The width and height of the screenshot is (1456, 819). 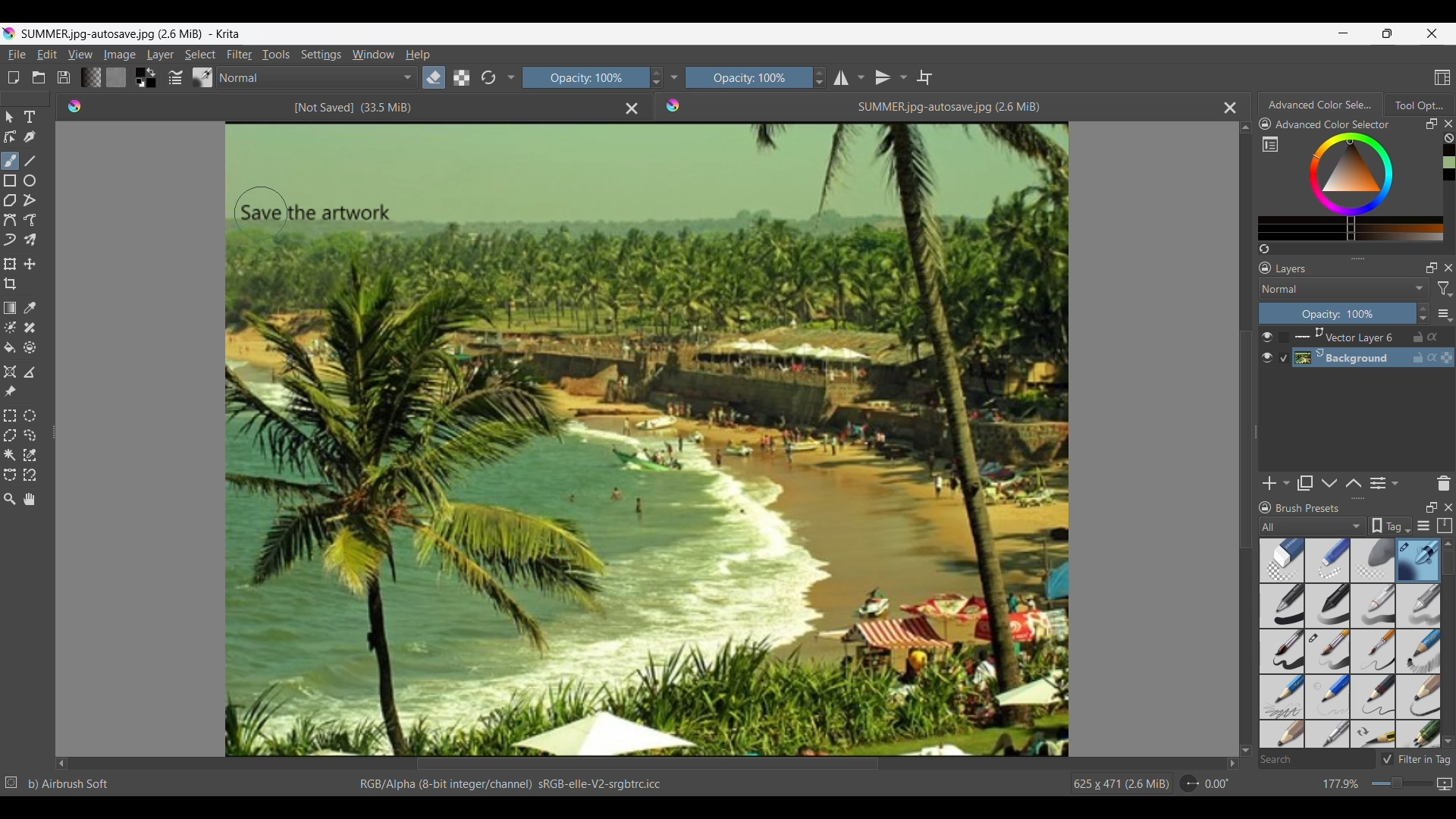 What do you see at coordinates (11, 161) in the screenshot?
I see `Freehand brush tool, current selection` at bounding box center [11, 161].